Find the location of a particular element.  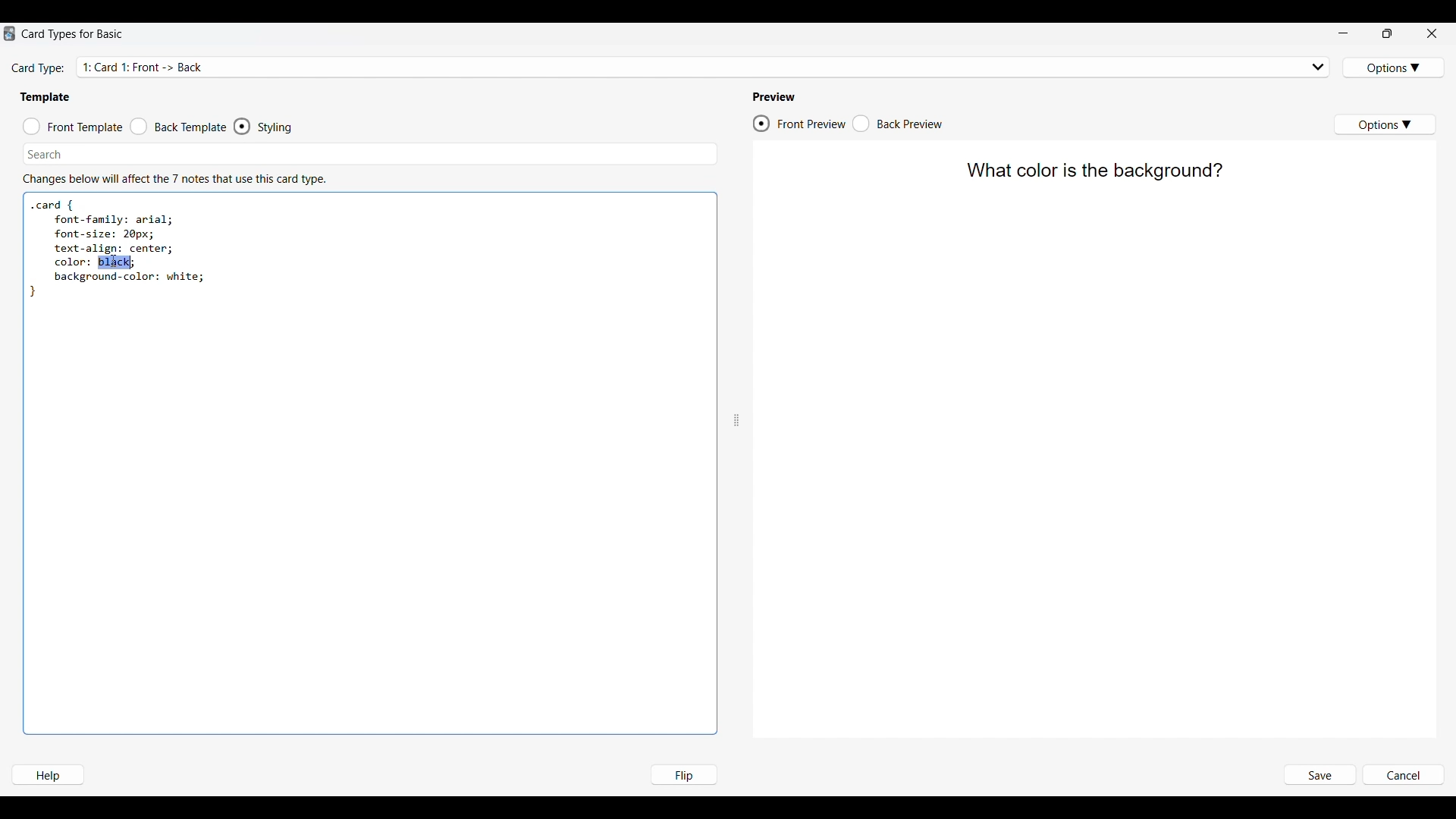

Software logo is located at coordinates (9, 33).